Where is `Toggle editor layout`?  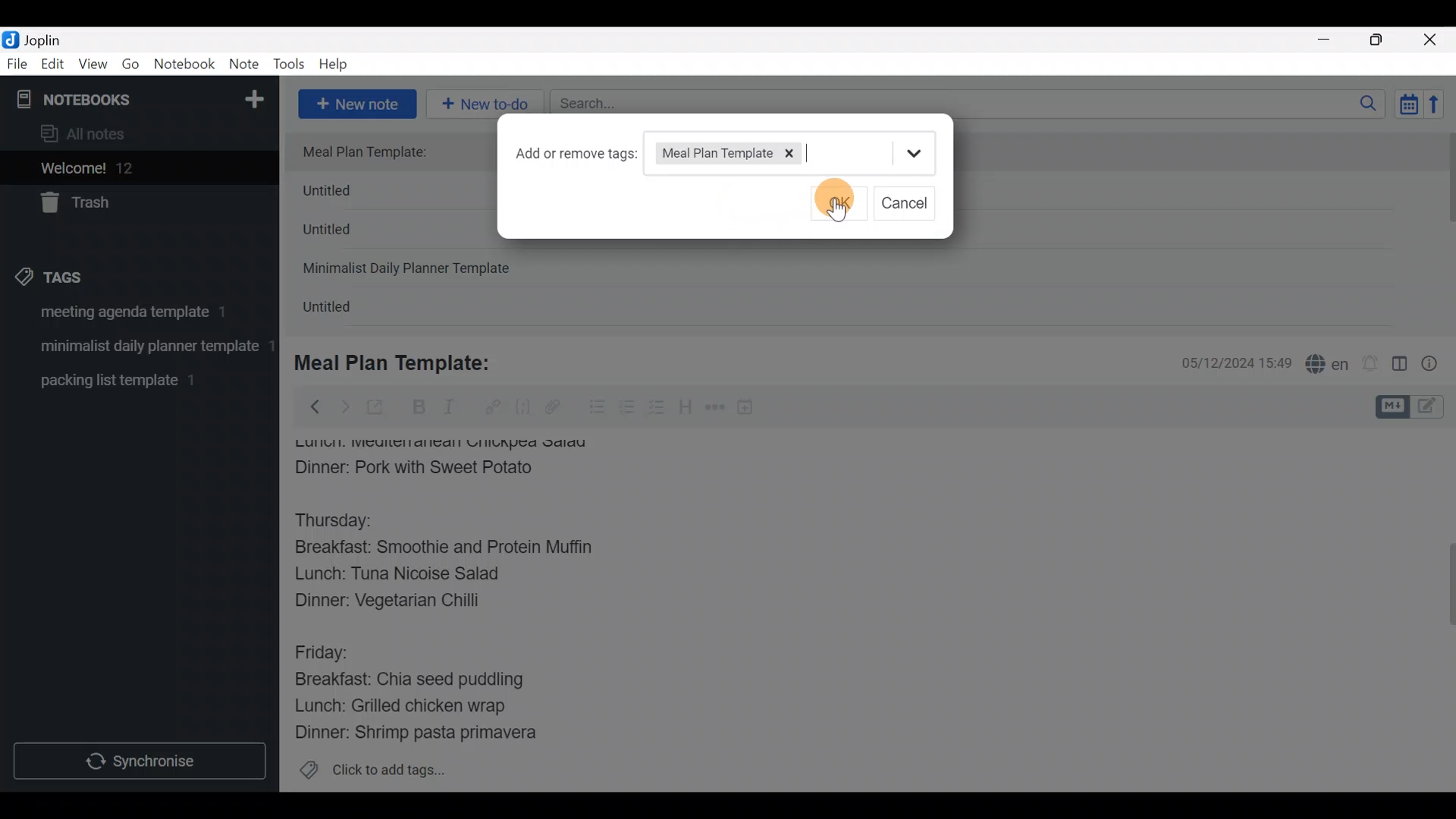
Toggle editor layout is located at coordinates (1401, 366).